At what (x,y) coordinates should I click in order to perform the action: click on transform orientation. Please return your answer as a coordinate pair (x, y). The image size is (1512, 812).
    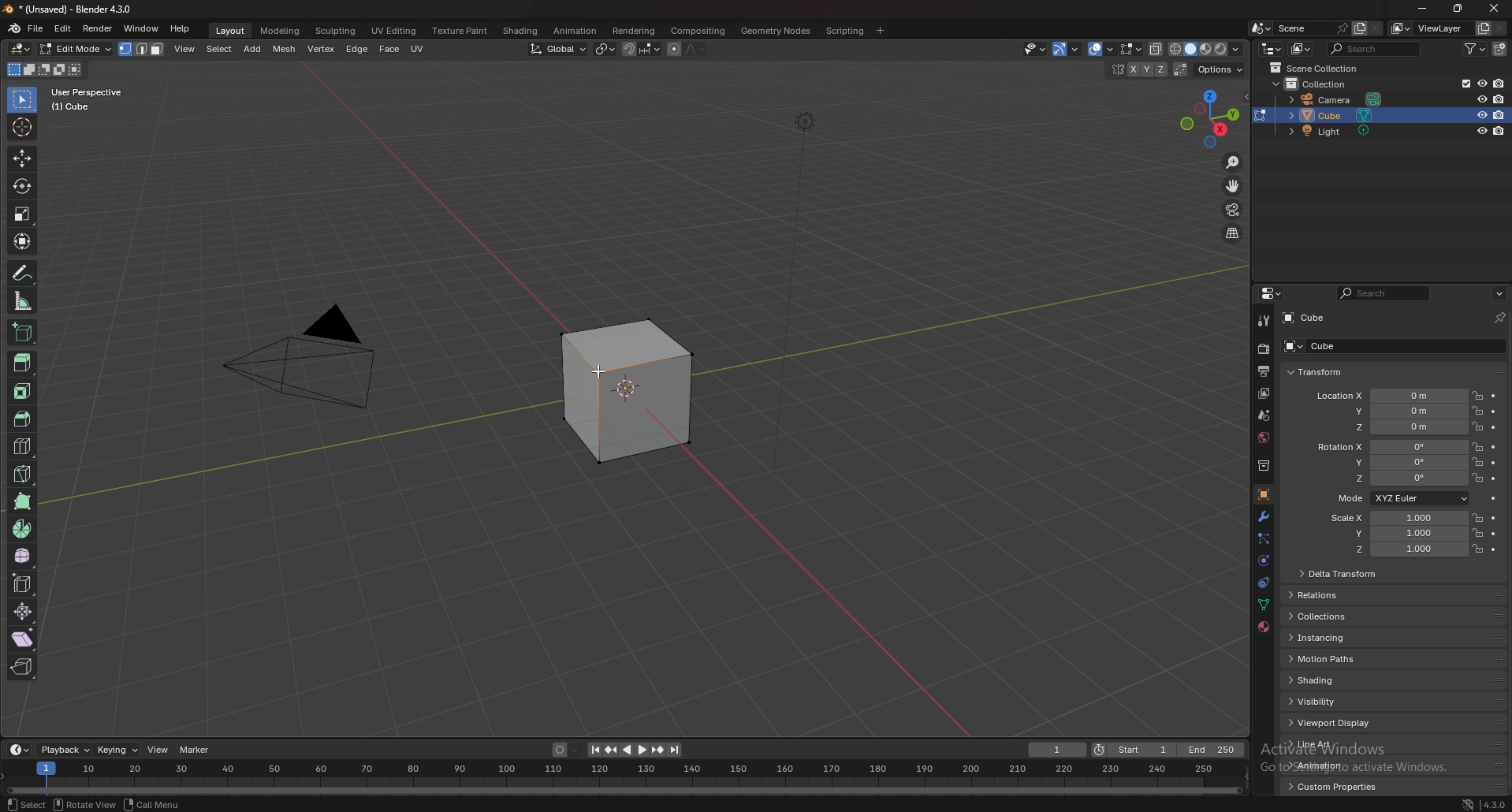
    Looking at the image, I should click on (557, 50).